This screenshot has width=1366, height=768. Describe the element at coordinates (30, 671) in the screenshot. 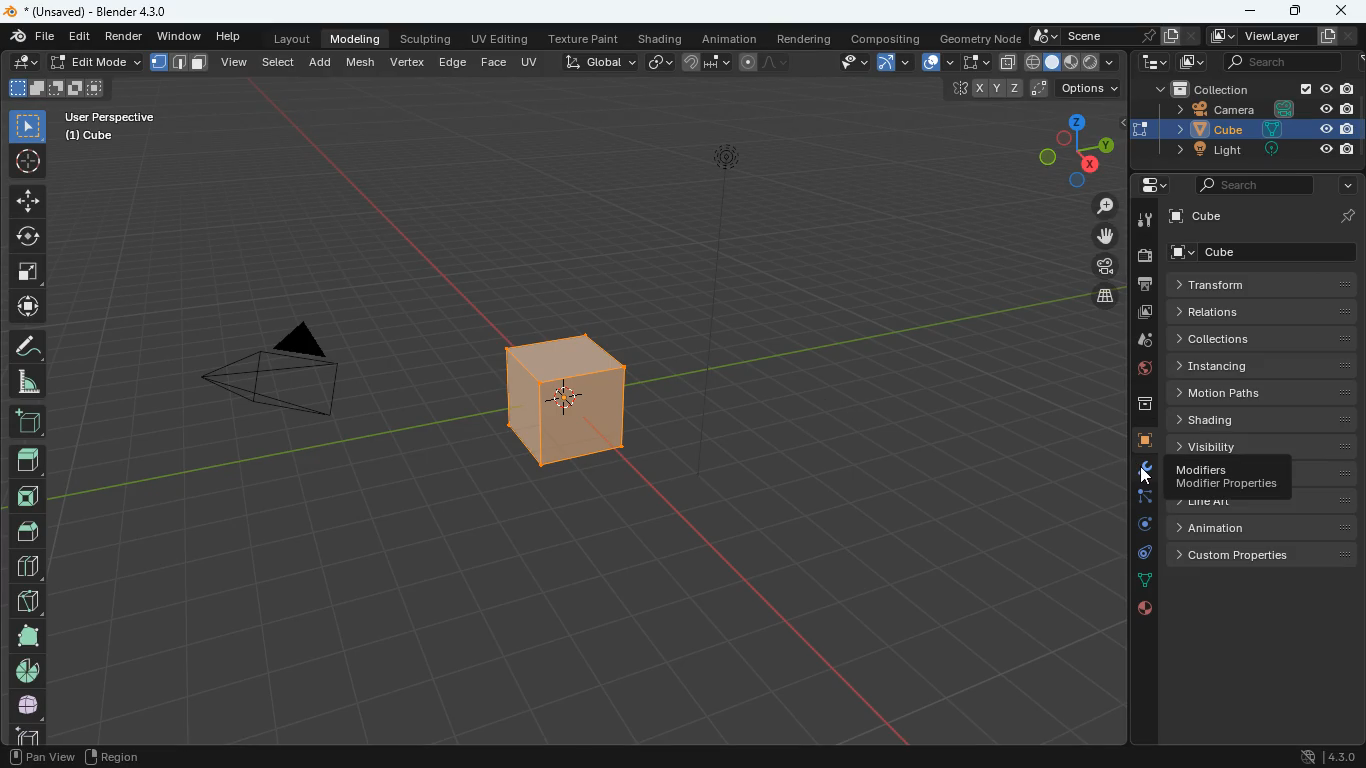

I see `pie` at that location.